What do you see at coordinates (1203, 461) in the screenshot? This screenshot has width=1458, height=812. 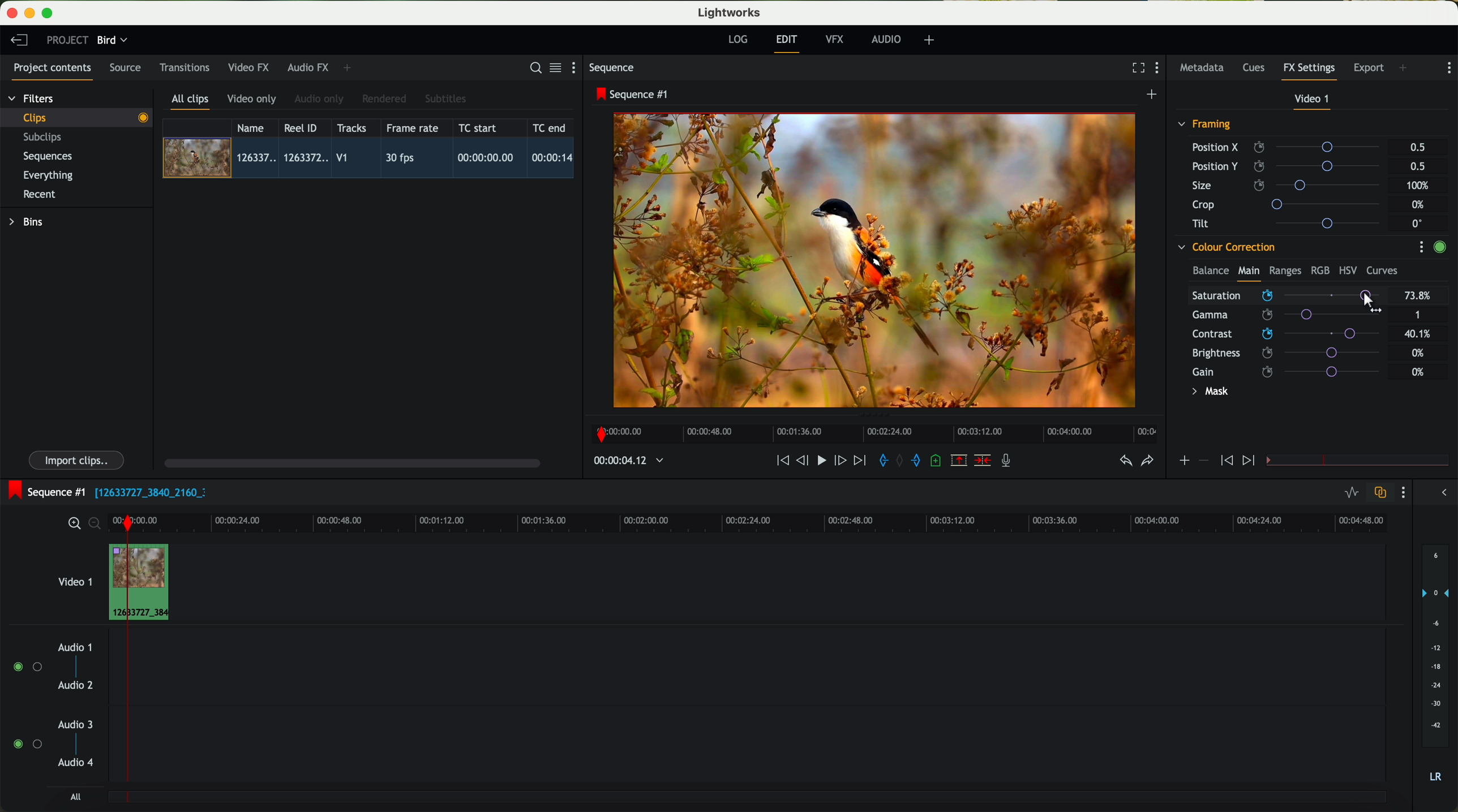 I see `icon` at bounding box center [1203, 461].